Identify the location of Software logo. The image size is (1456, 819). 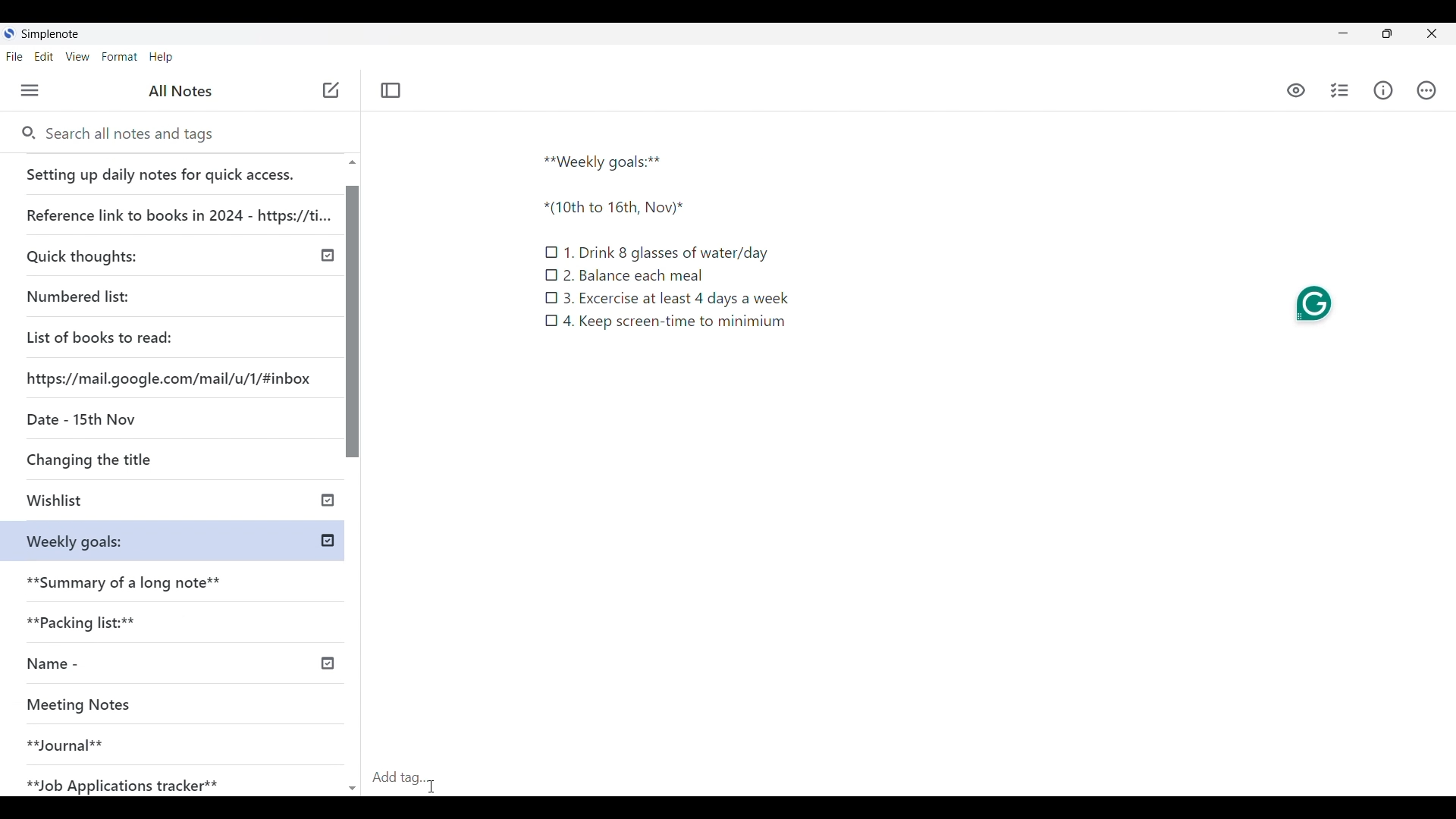
(10, 33).